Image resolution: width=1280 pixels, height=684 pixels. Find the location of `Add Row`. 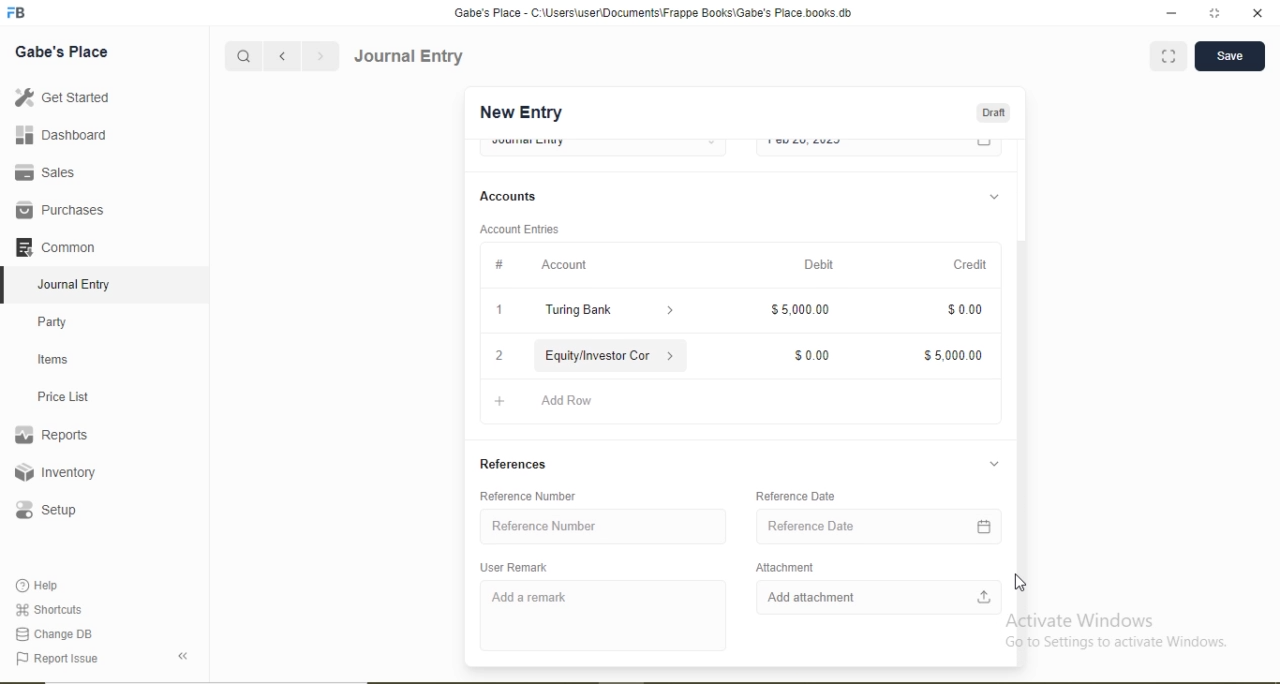

Add Row is located at coordinates (570, 401).